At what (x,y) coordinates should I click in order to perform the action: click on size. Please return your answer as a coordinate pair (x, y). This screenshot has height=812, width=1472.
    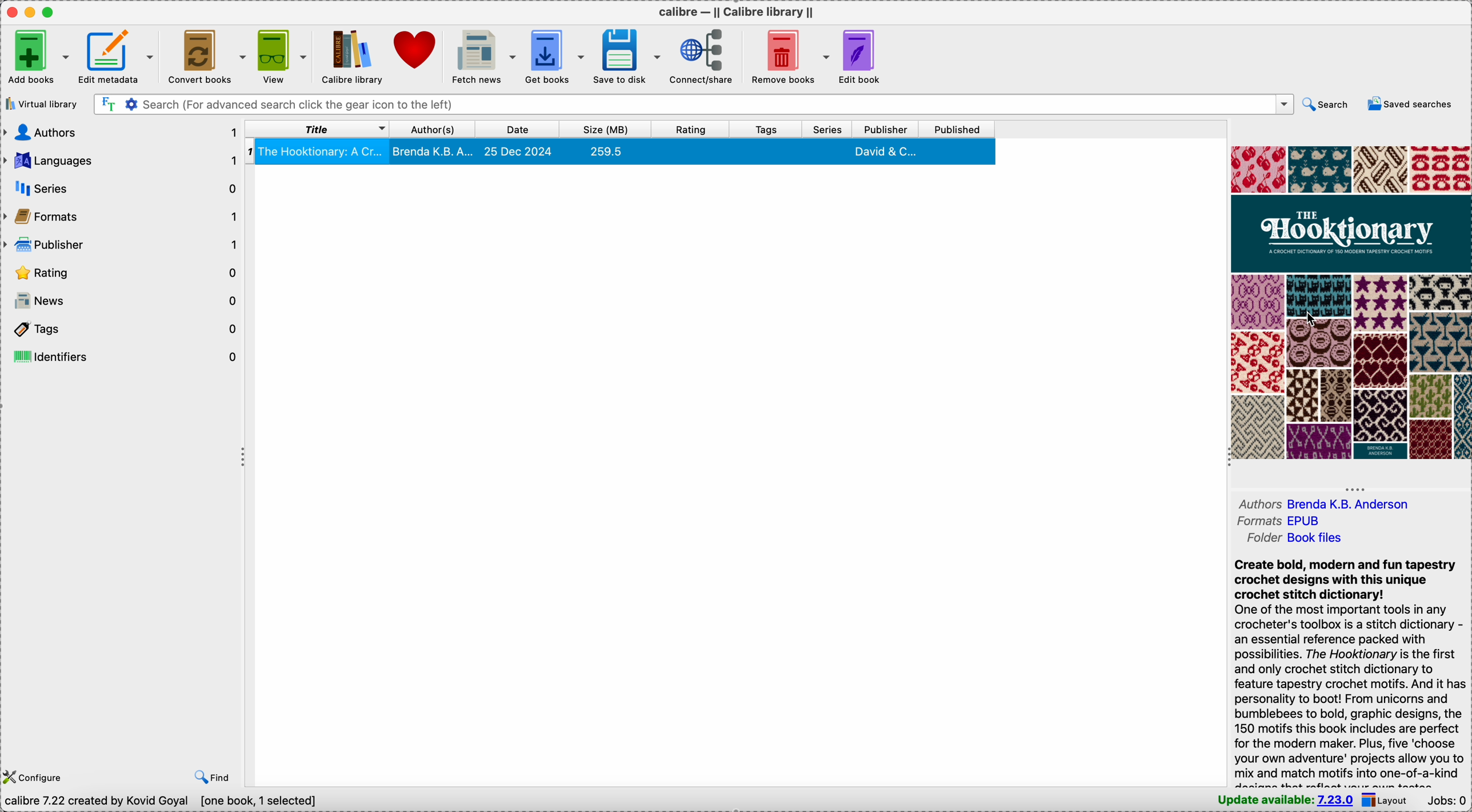
    Looking at the image, I should click on (602, 129).